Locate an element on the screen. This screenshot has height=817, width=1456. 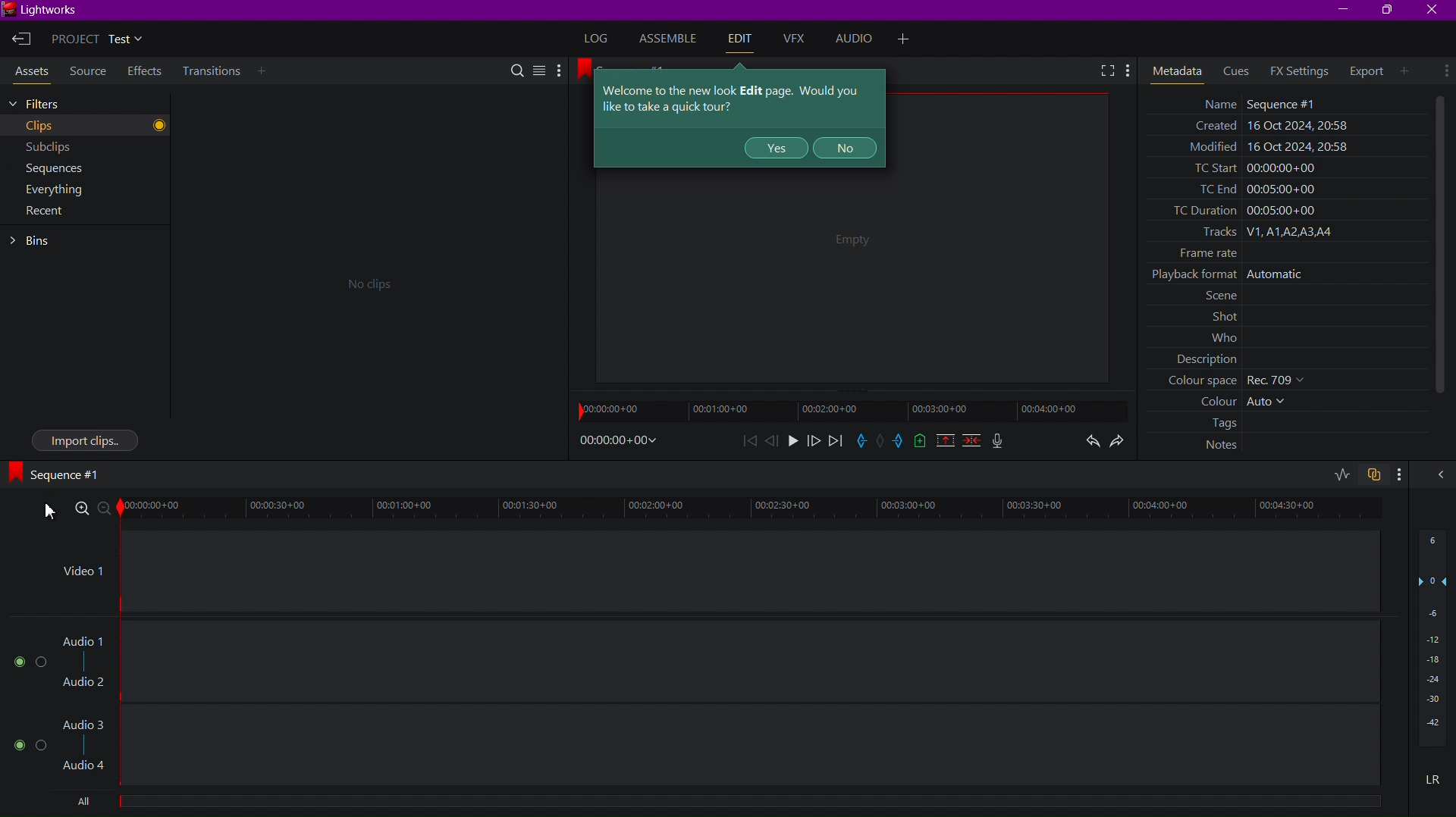
Audio Track is located at coordinates (752, 663).